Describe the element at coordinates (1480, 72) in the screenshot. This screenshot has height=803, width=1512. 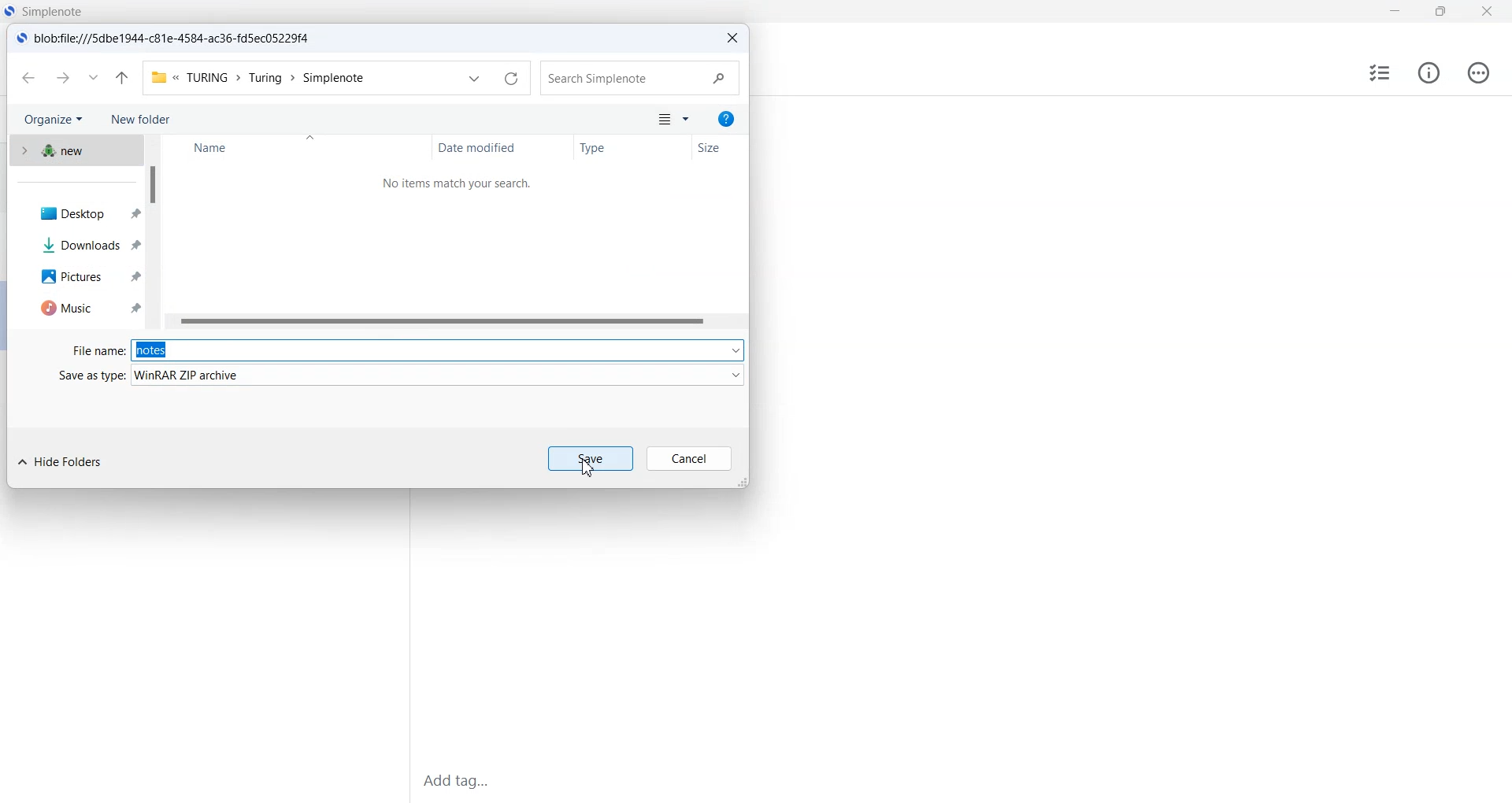
I see `Action` at that location.